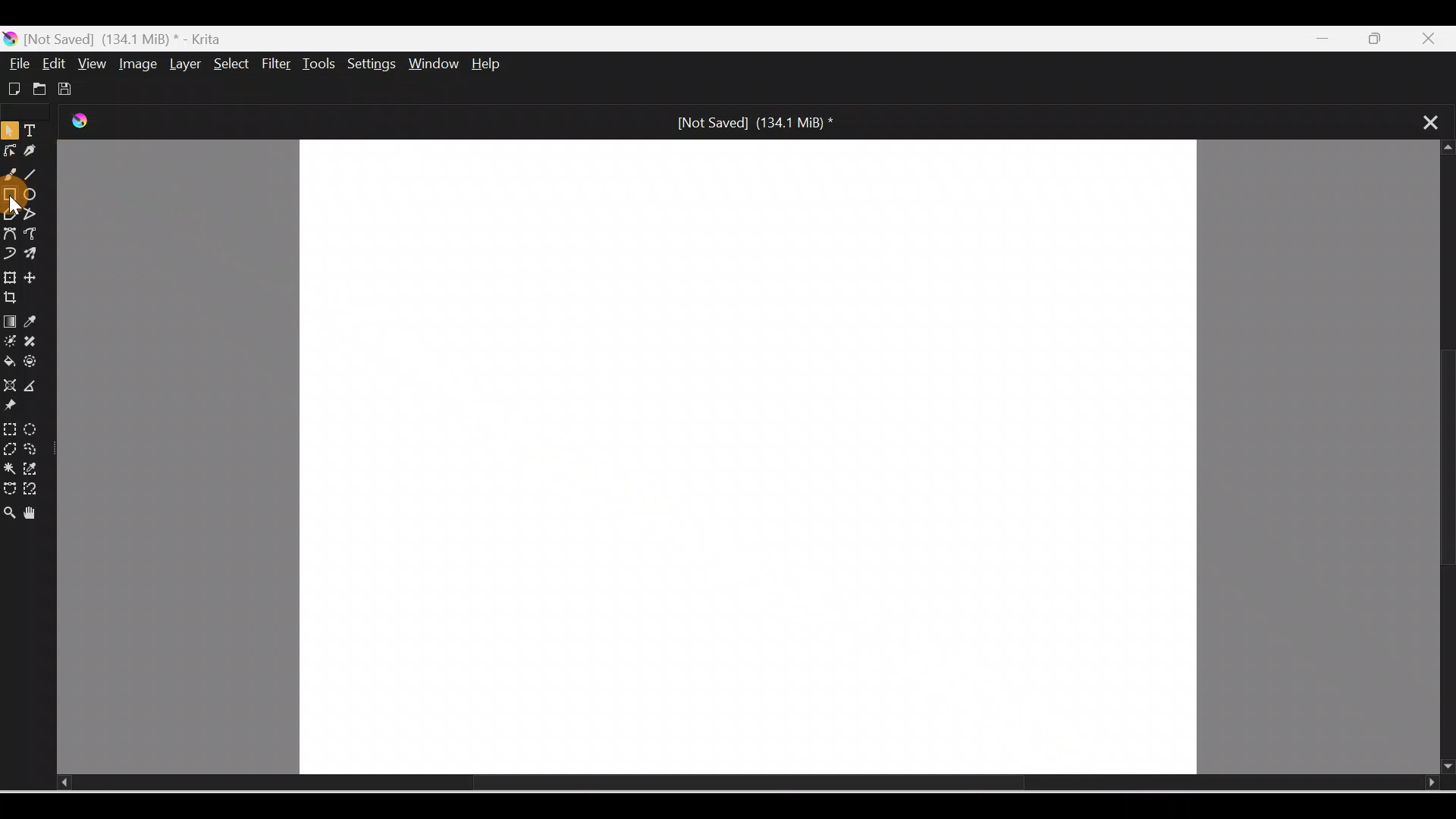 The height and width of the screenshot is (819, 1456). Describe the element at coordinates (322, 64) in the screenshot. I see `Tools` at that location.